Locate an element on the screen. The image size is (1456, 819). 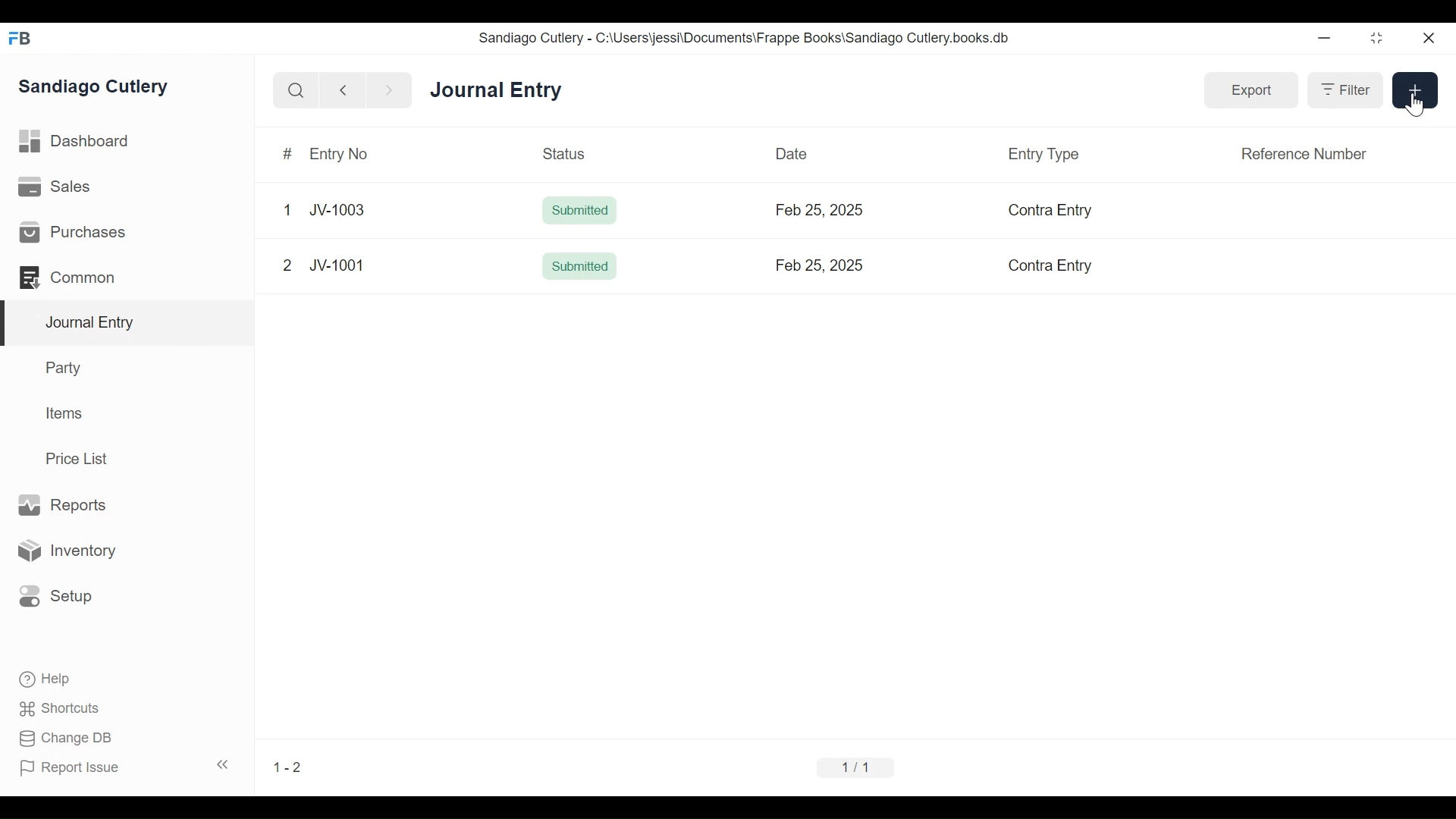
Contra Entry is located at coordinates (1044, 211).